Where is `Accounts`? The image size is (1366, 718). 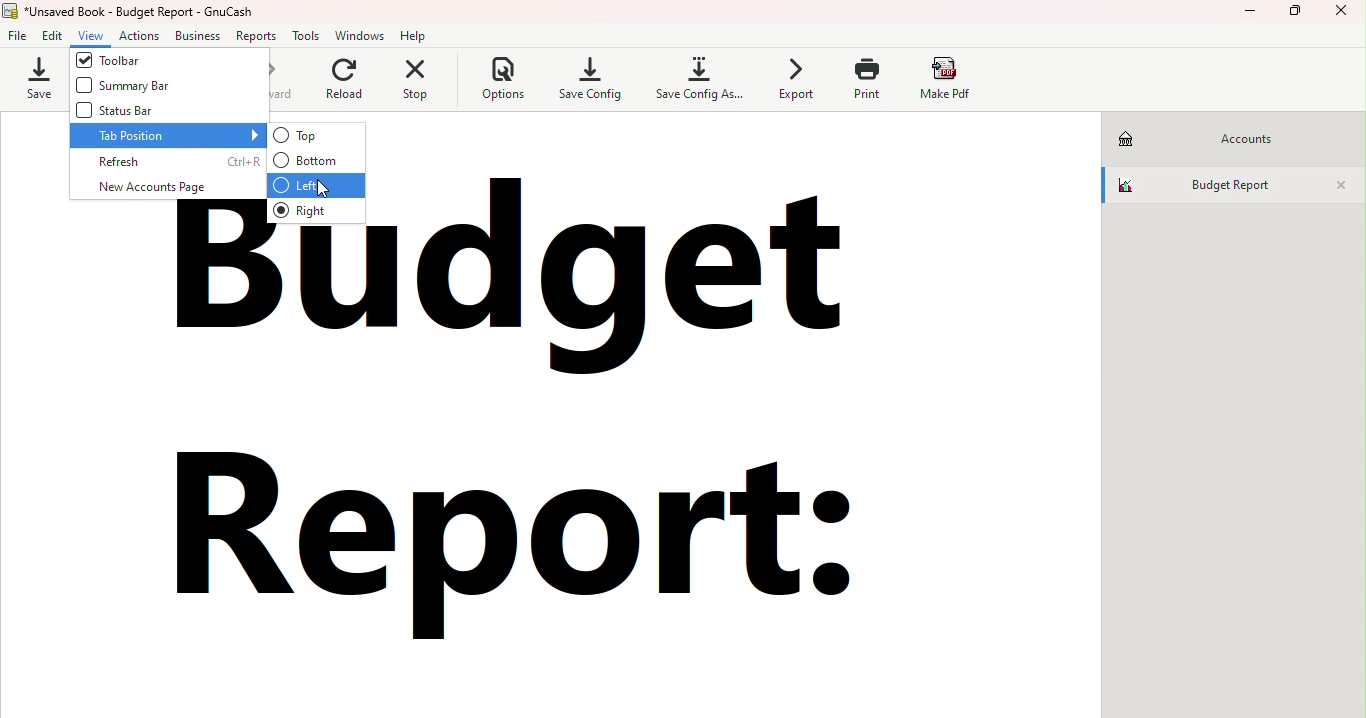 Accounts is located at coordinates (1223, 137).